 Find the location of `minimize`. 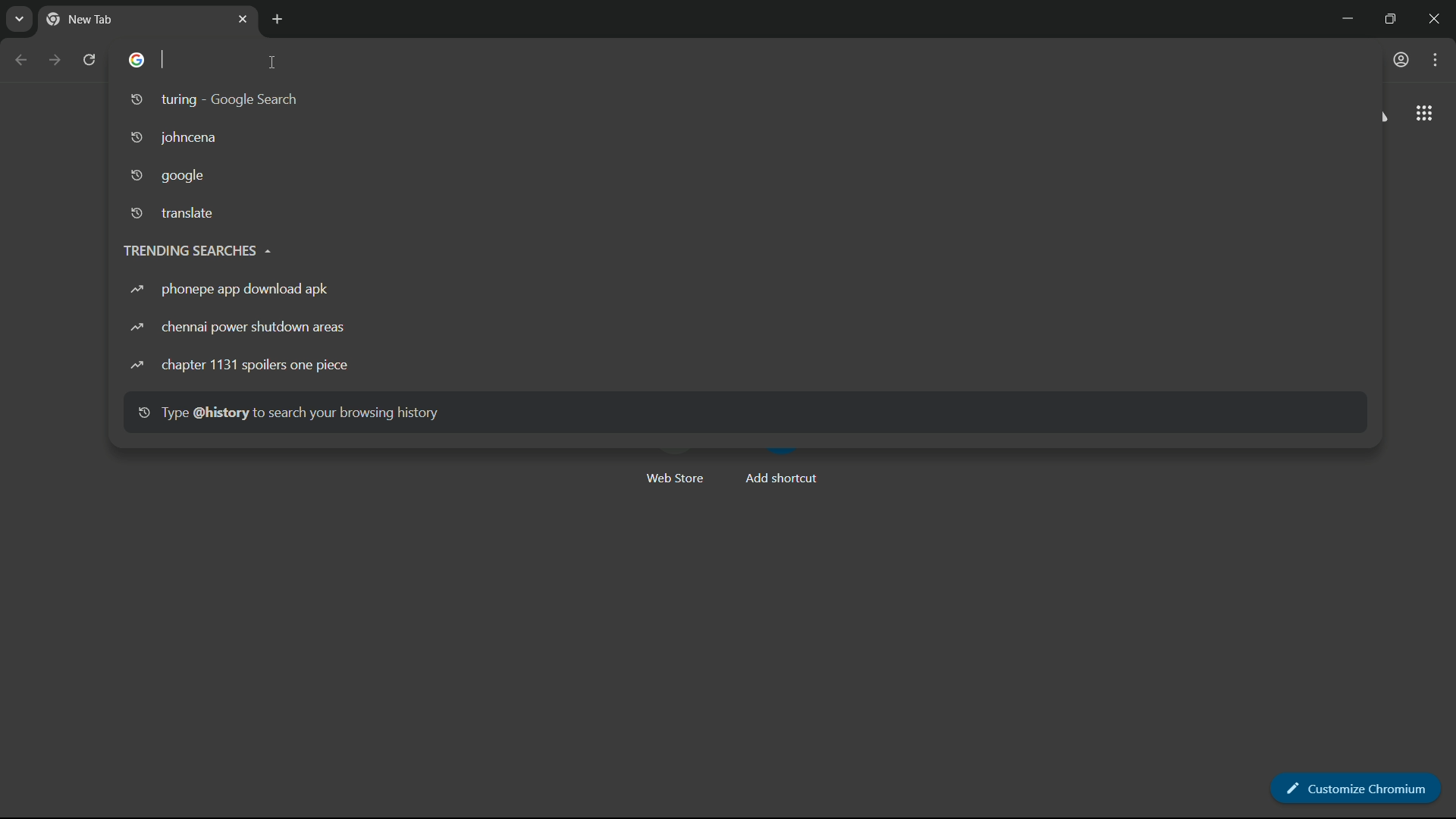

minimize is located at coordinates (1341, 20).